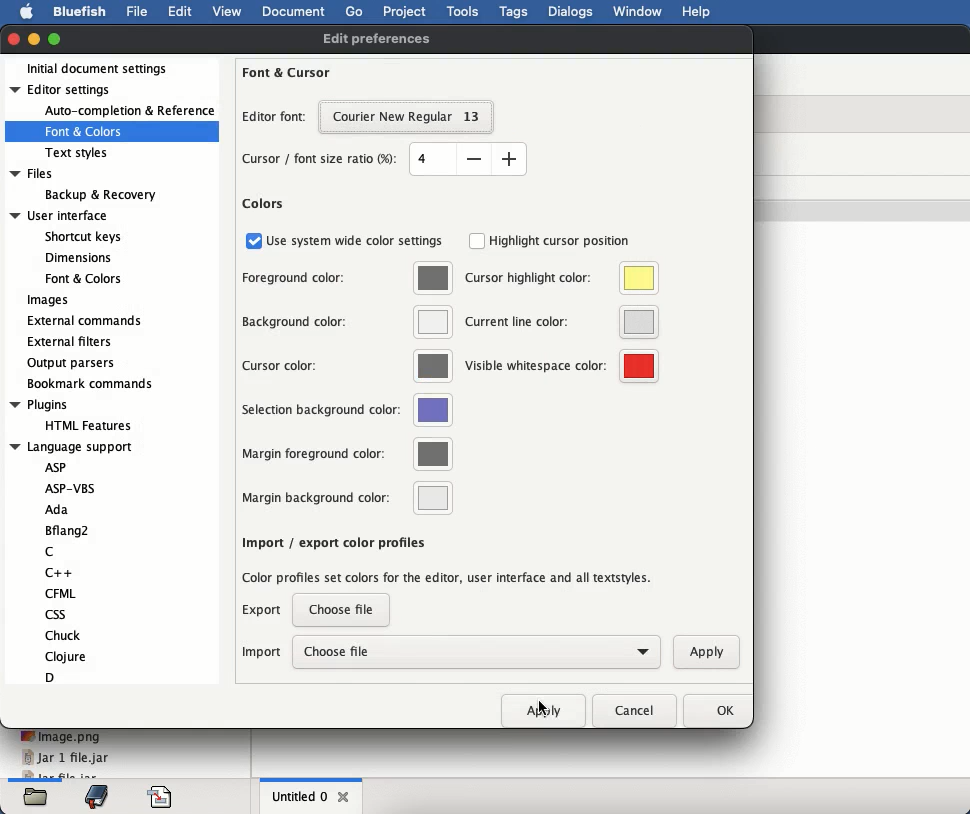 The width and height of the screenshot is (970, 814). What do you see at coordinates (36, 797) in the screenshot?
I see `files` at bounding box center [36, 797].